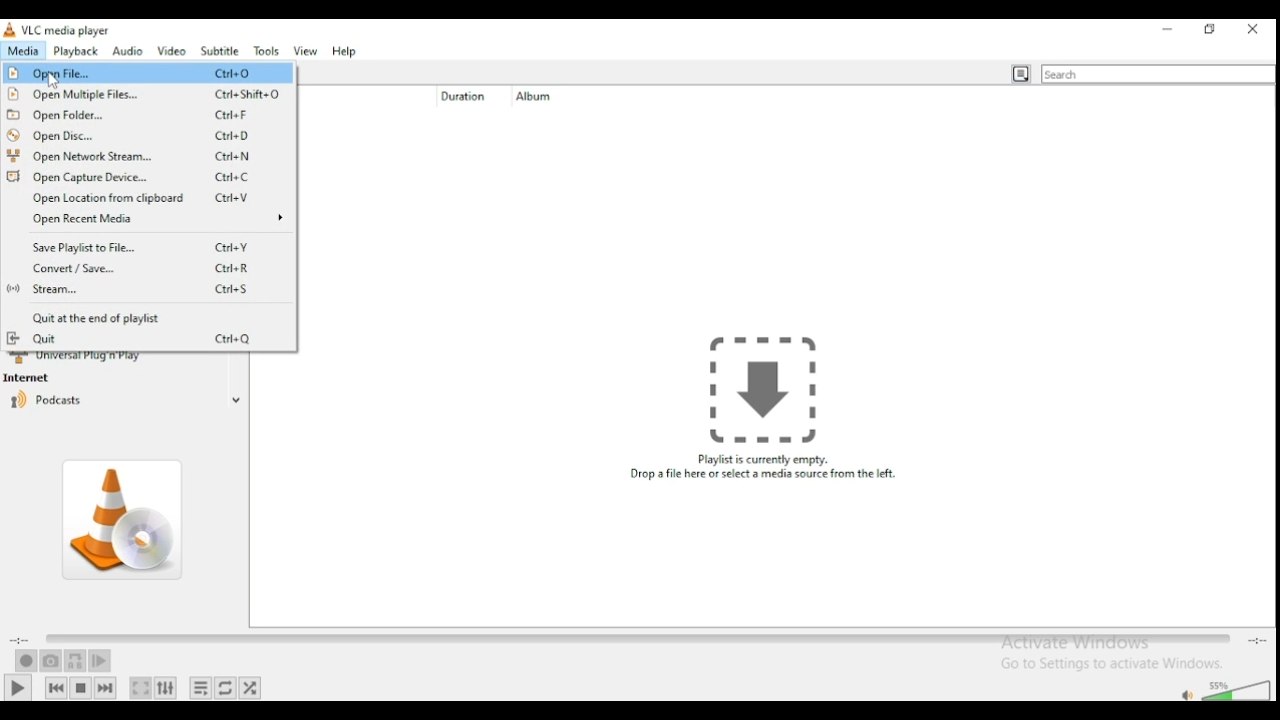 The width and height of the screenshot is (1280, 720). What do you see at coordinates (224, 687) in the screenshot?
I see `select between loop all, loop one, and no loop` at bounding box center [224, 687].